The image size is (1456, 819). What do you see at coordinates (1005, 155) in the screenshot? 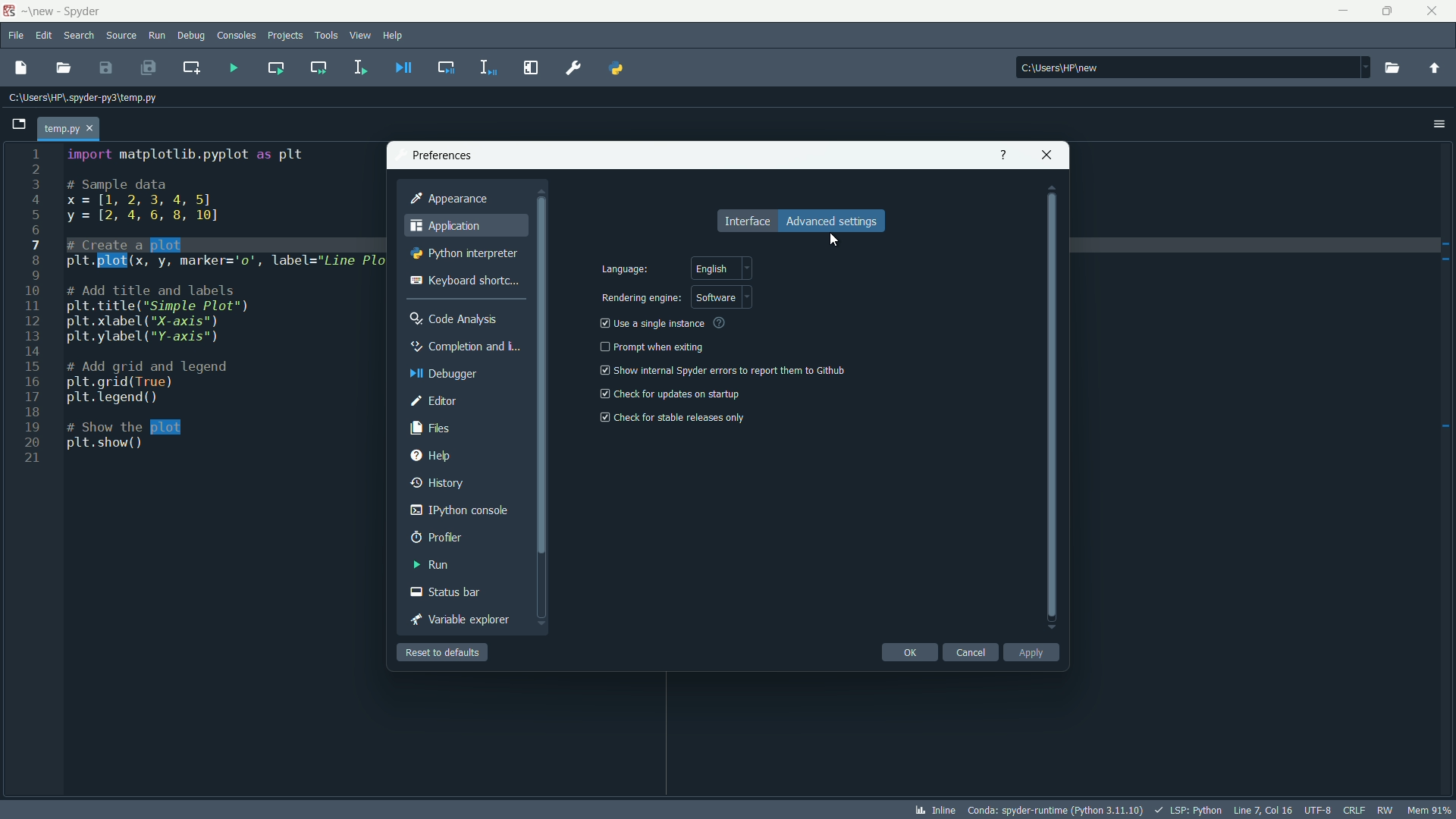
I see `get help` at bounding box center [1005, 155].